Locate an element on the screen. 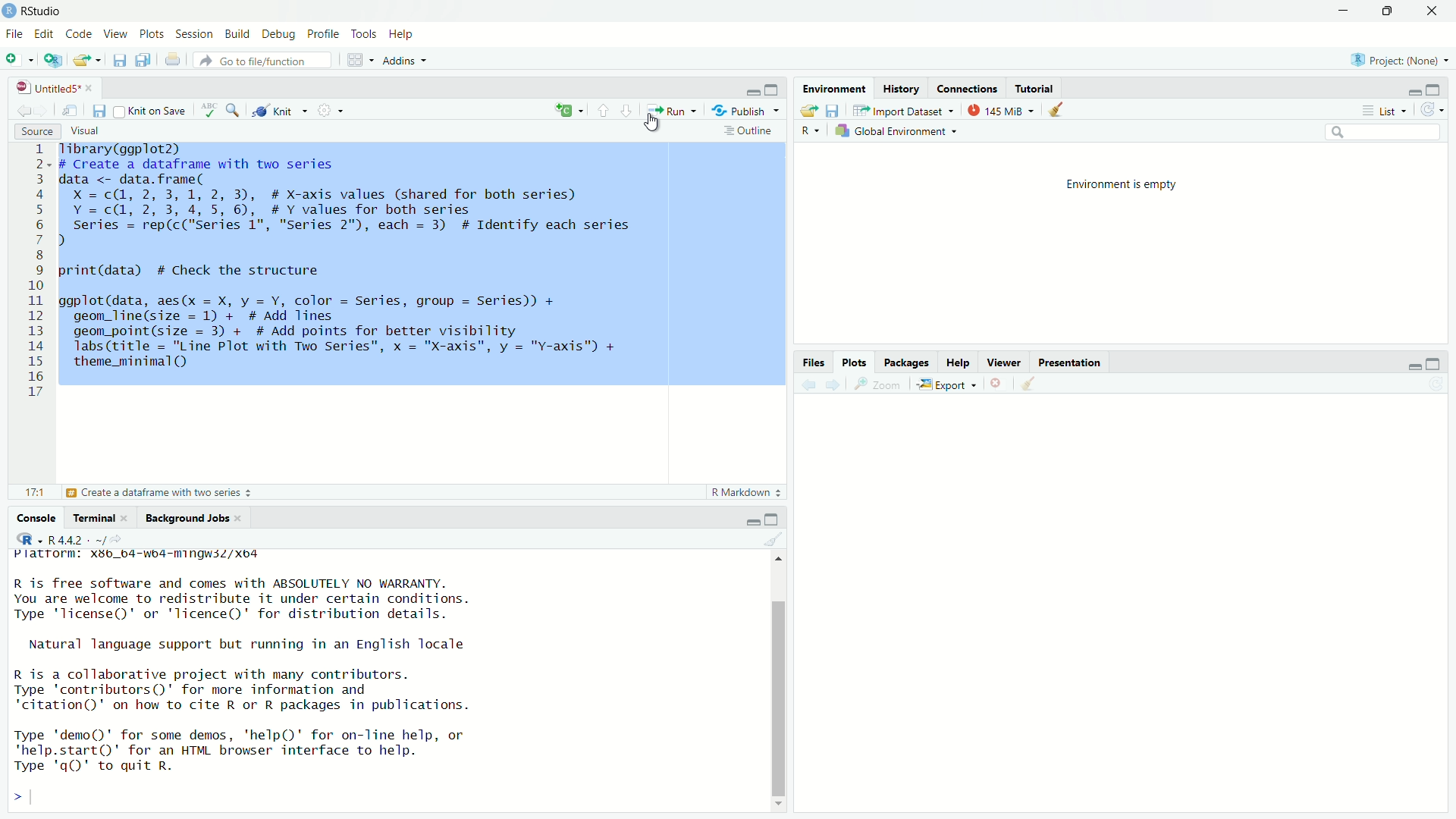 The height and width of the screenshot is (819, 1456). Maximize is located at coordinates (772, 519).